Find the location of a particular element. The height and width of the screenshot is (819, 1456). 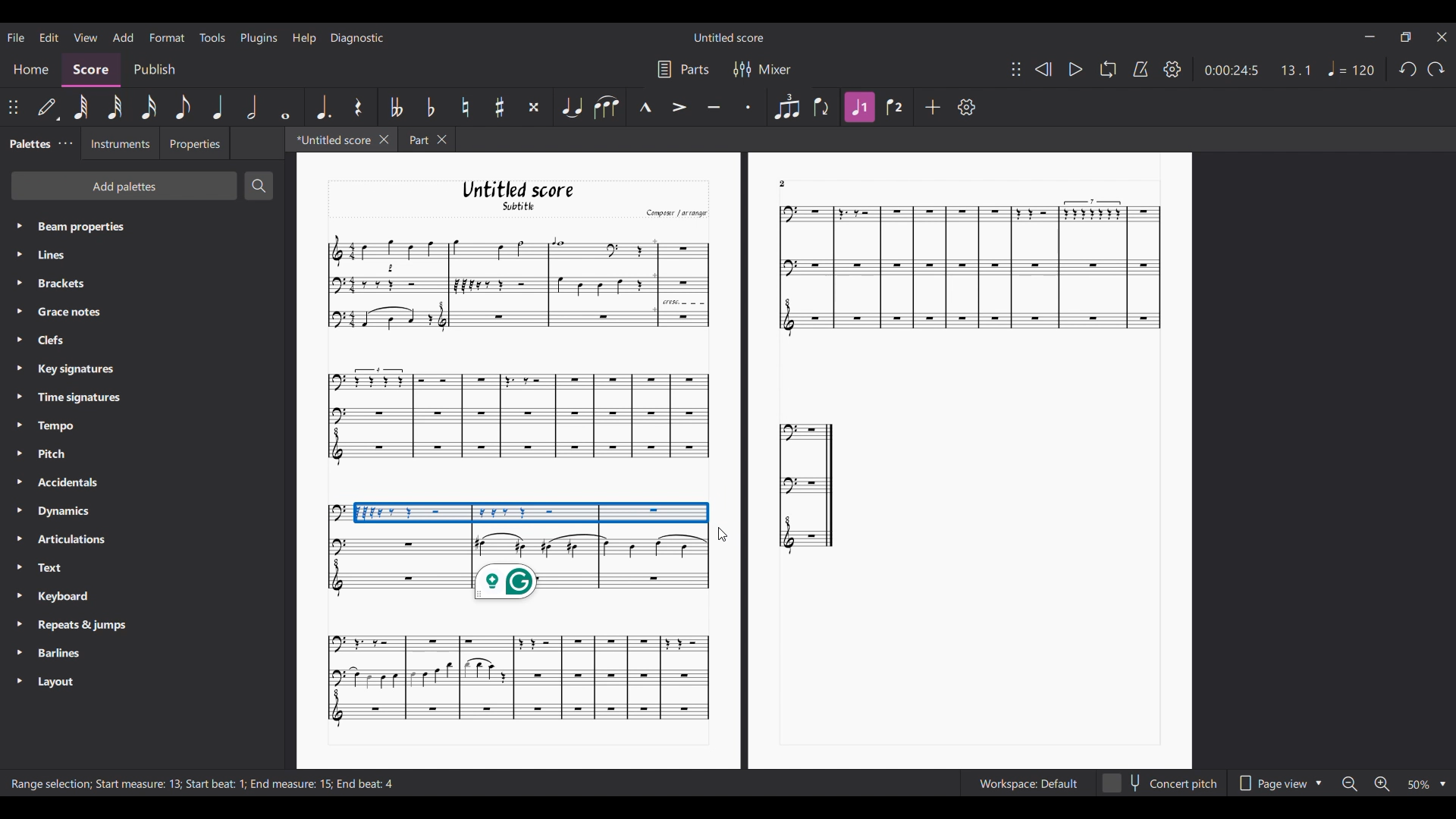

»  Accidentals is located at coordinates (63, 485).